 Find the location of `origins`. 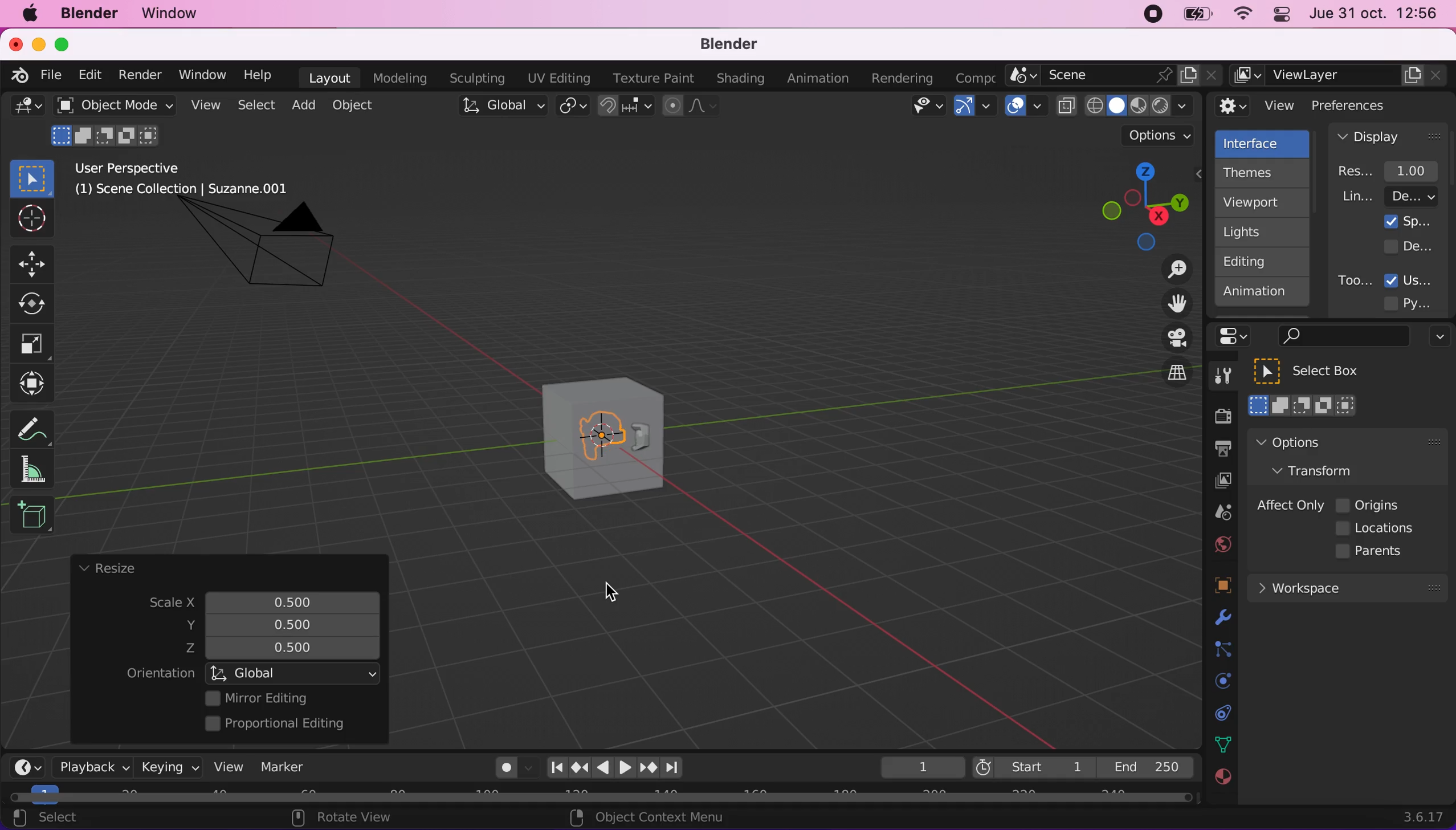

origins is located at coordinates (1369, 503).